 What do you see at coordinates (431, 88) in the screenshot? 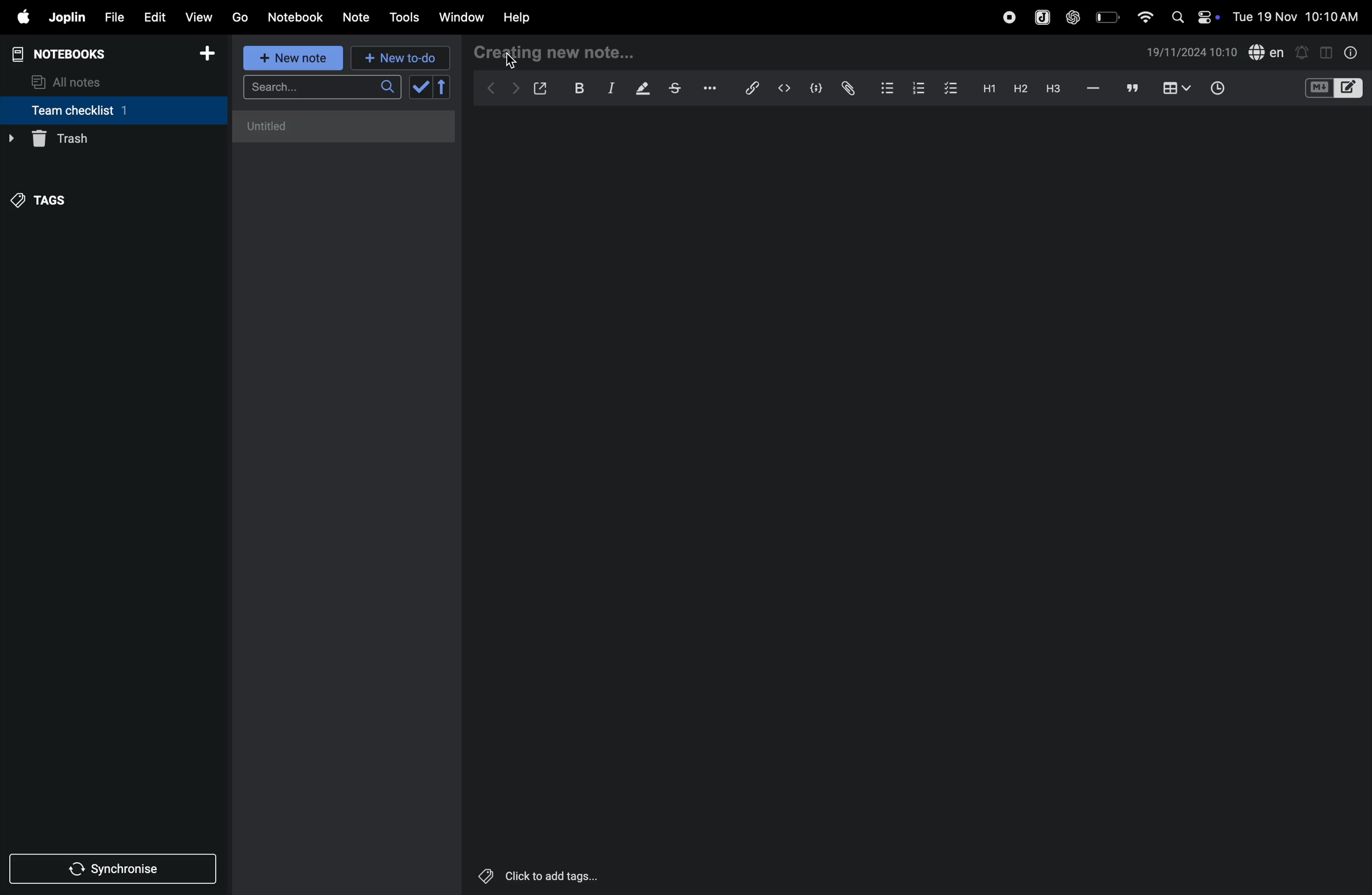
I see `check` at bounding box center [431, 88].